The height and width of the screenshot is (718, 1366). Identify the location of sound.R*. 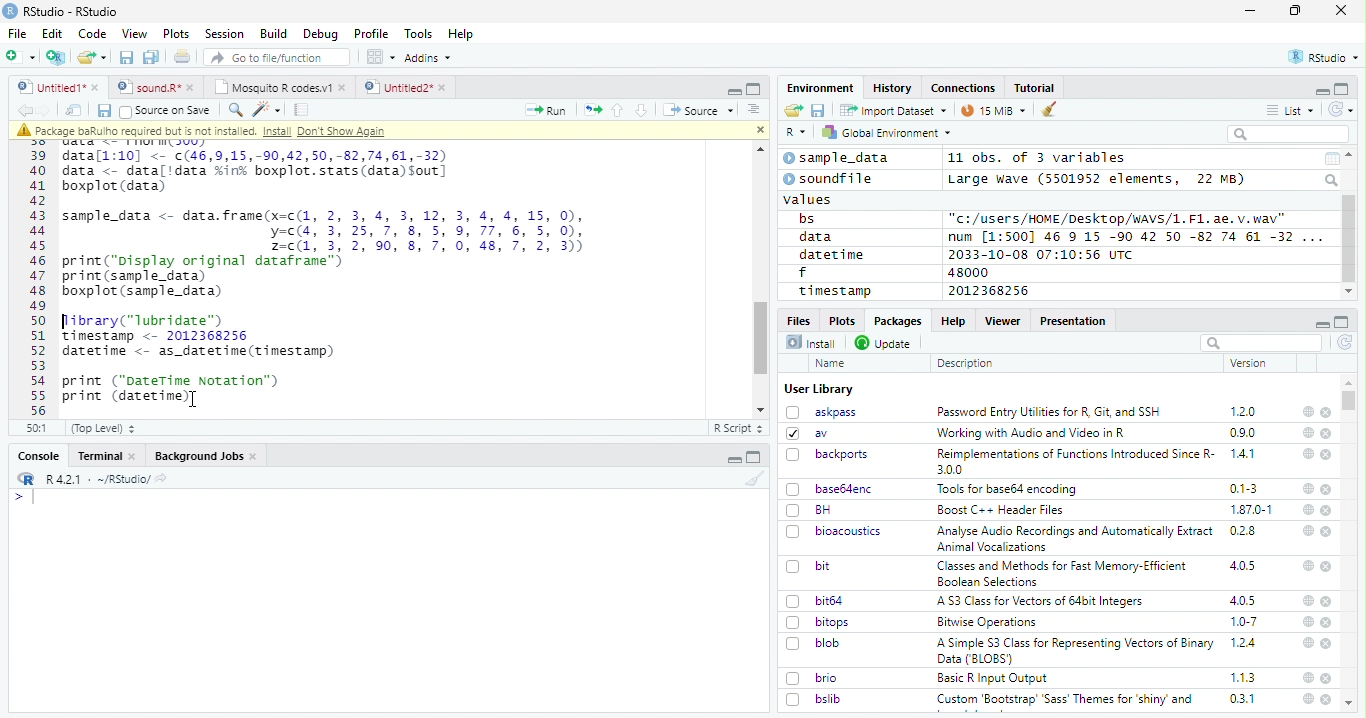
(156, 88).